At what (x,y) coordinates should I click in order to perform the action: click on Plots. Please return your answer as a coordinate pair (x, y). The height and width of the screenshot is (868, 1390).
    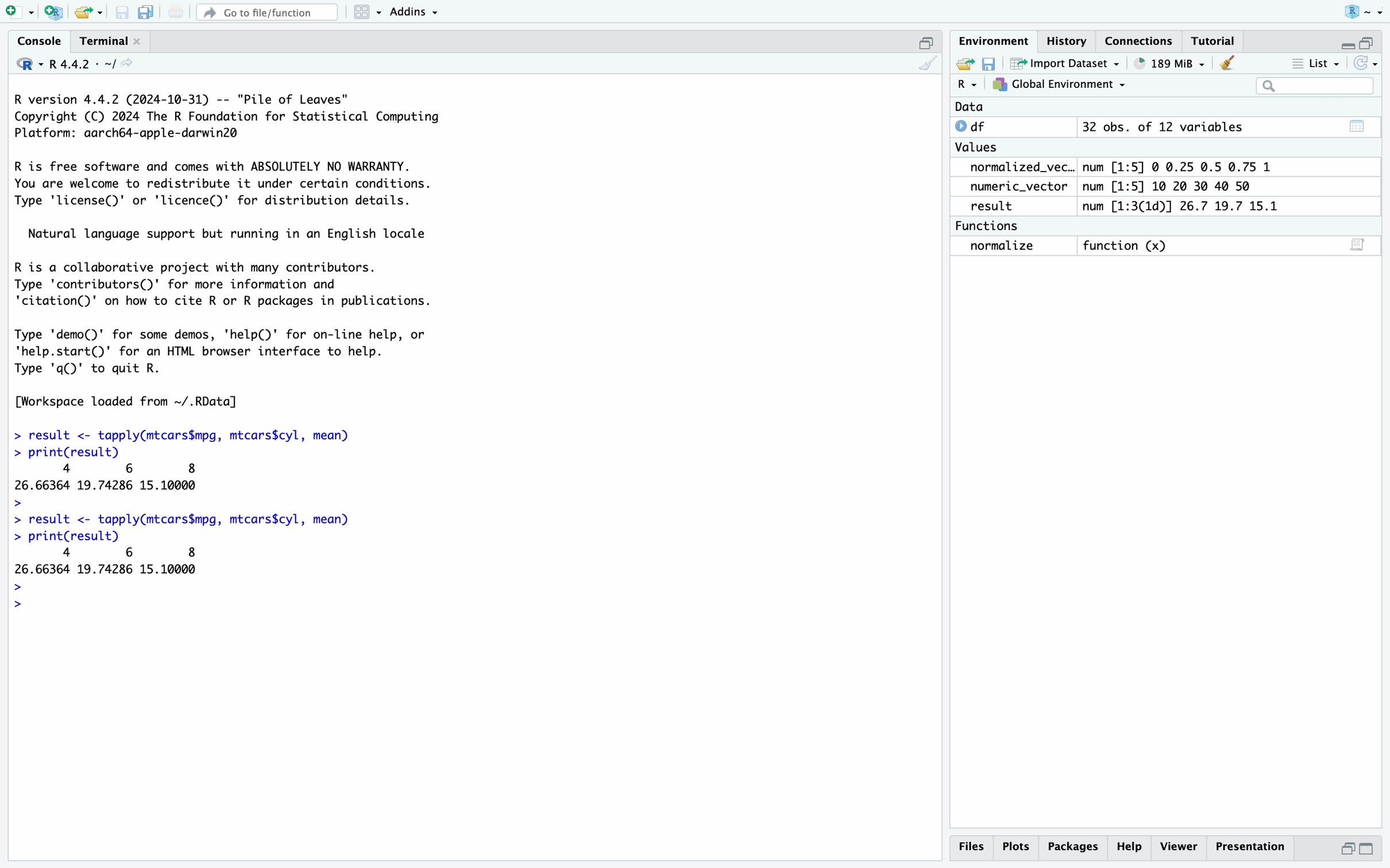
    Looking at the image, I should click on (1016, 847).